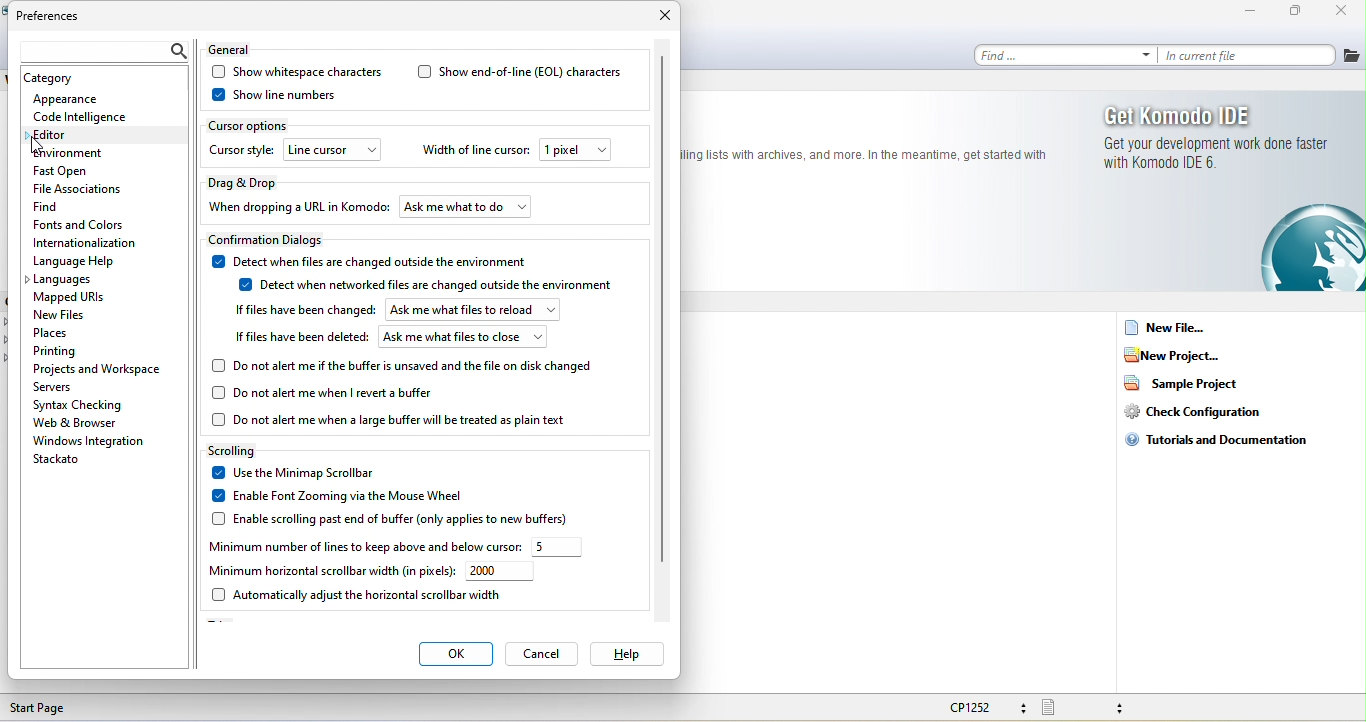  Describe the element at coordinates (237, 450) in the screenshot. I see `scrolling` at that location.